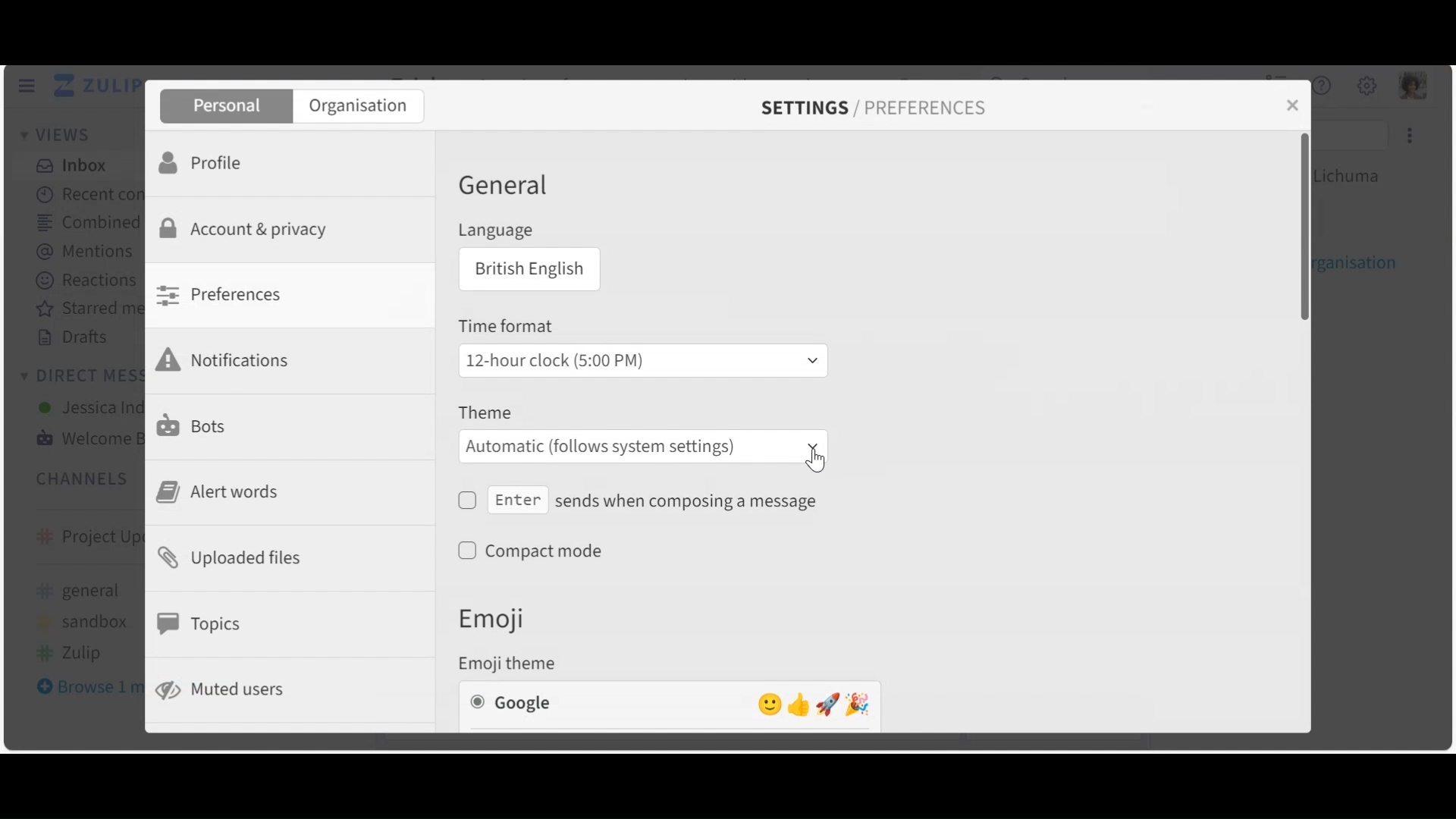 The image size is (1456, 819). What do you see at coordinates (202, 623) in the screenshot?
I see `Topics` at bounding box center [202, 623].